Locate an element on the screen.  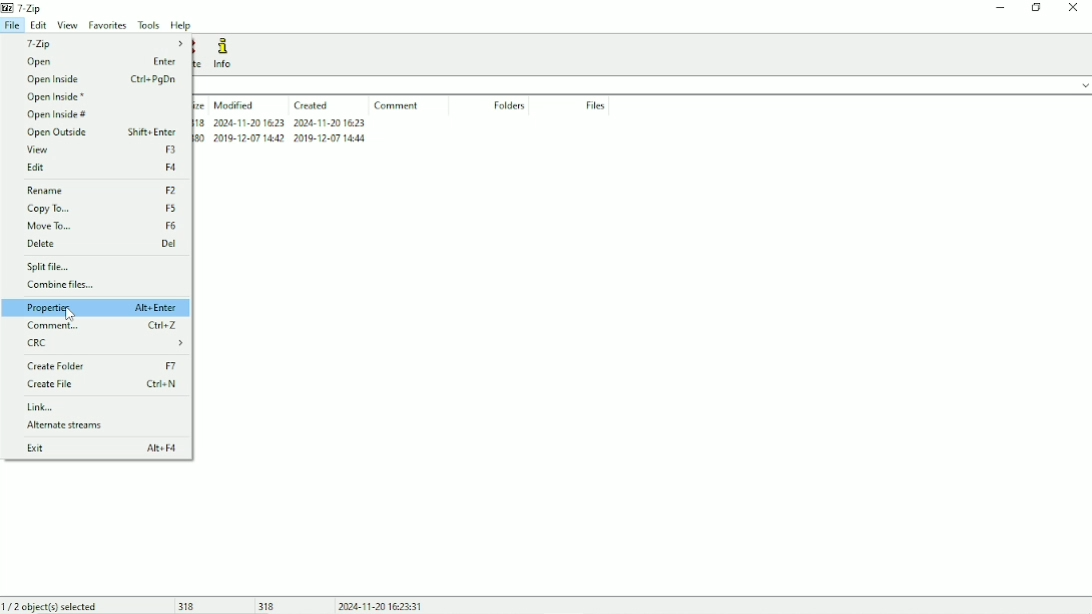
318 is located at coordinates (269, 605).